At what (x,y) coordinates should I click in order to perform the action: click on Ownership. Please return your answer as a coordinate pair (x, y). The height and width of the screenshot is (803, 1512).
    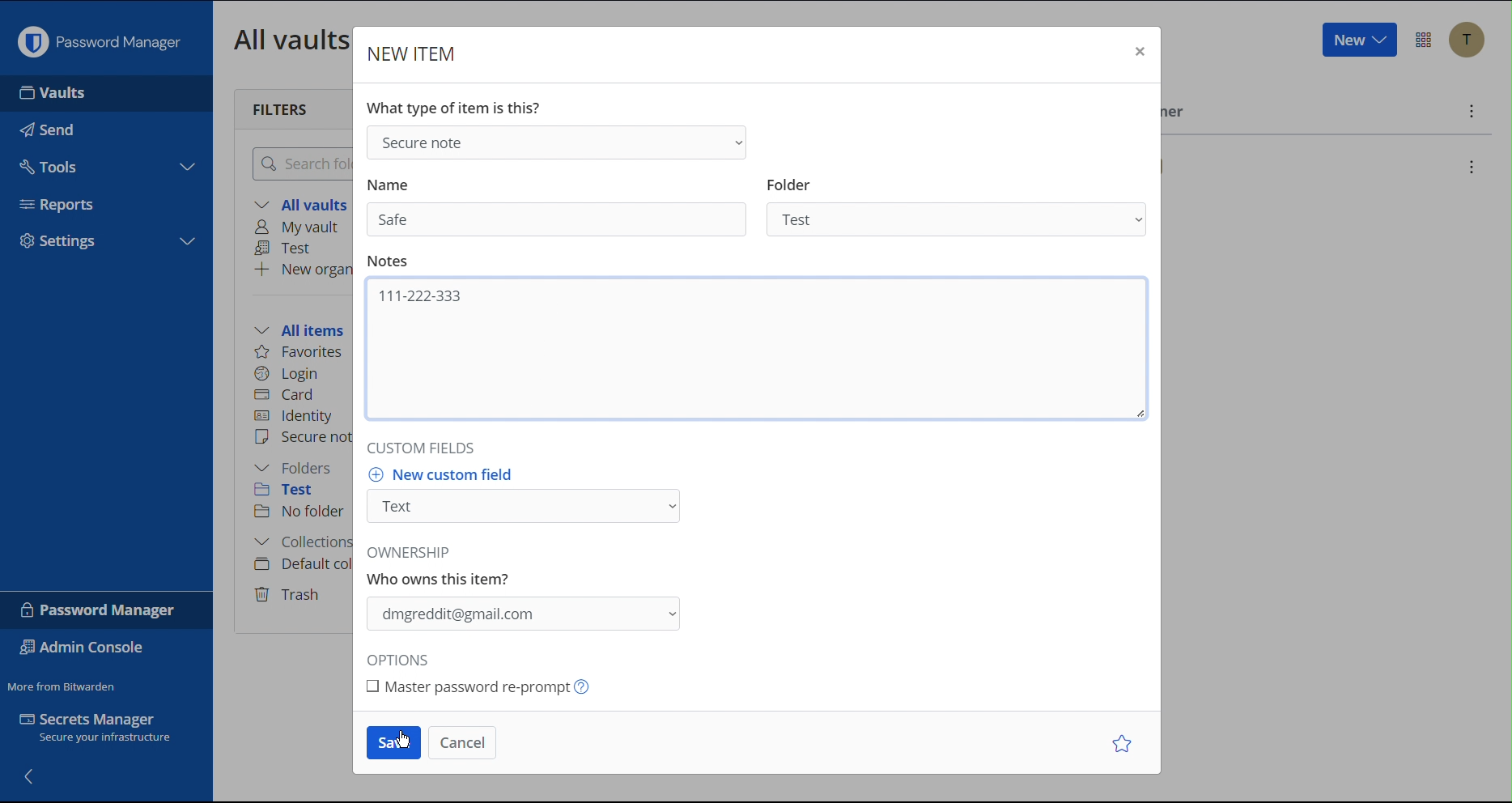
    Looking at the image, I should click on (529, 593).